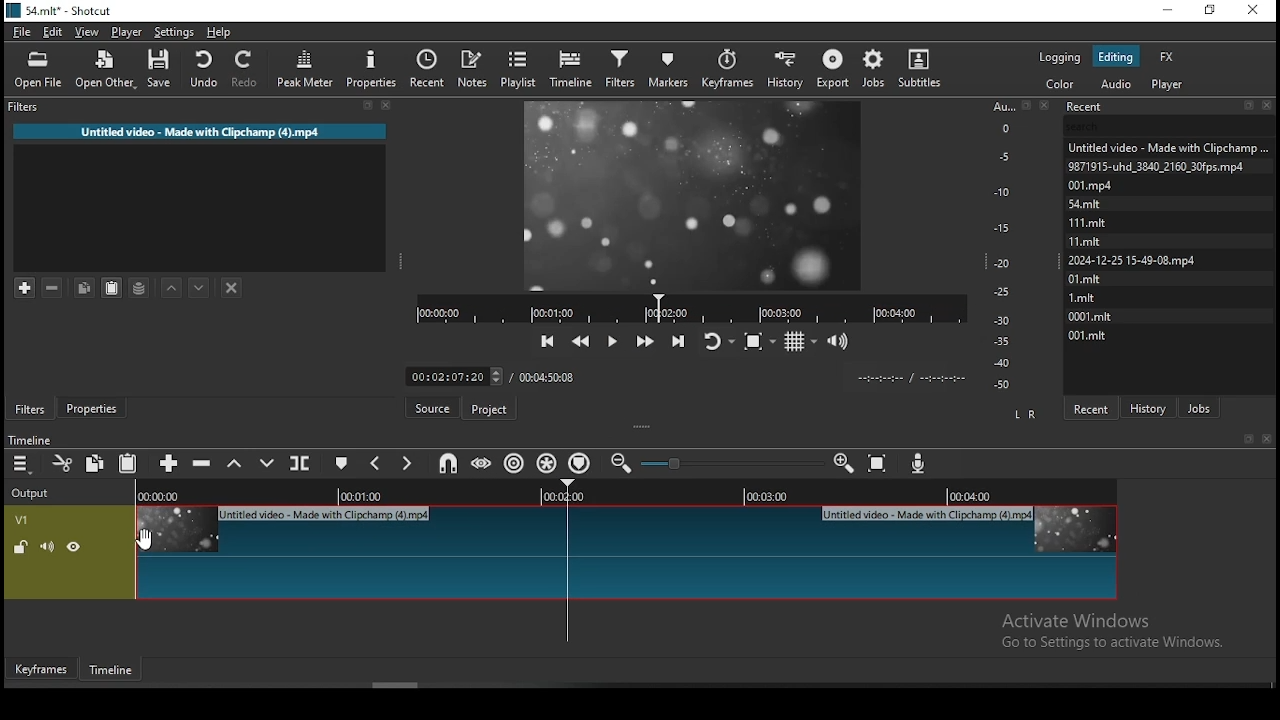 This screenshot has width=1280, height=720. I want to click on open file, so click(38, 69).